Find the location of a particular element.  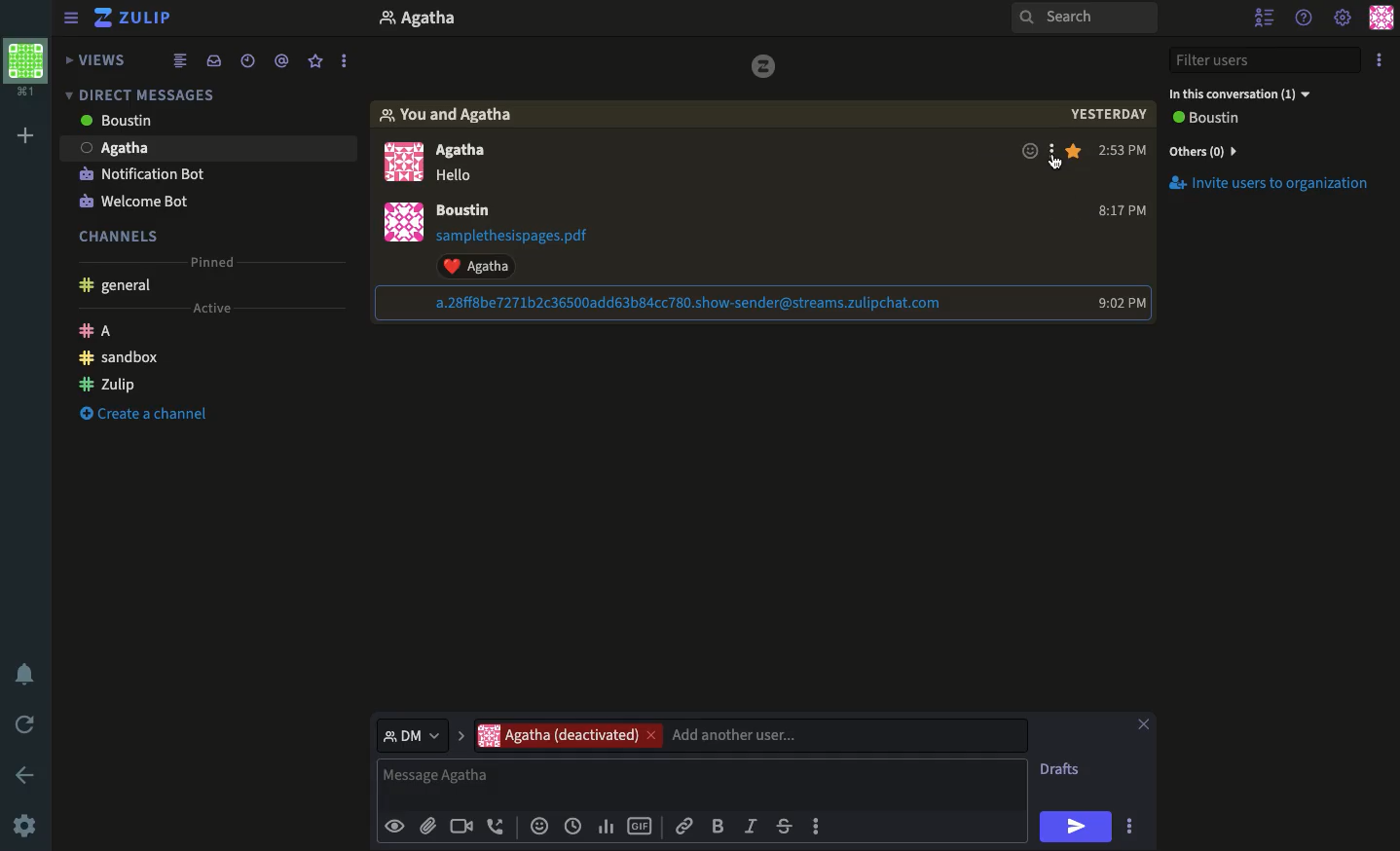

agatha is located at coordinates (210, 147).